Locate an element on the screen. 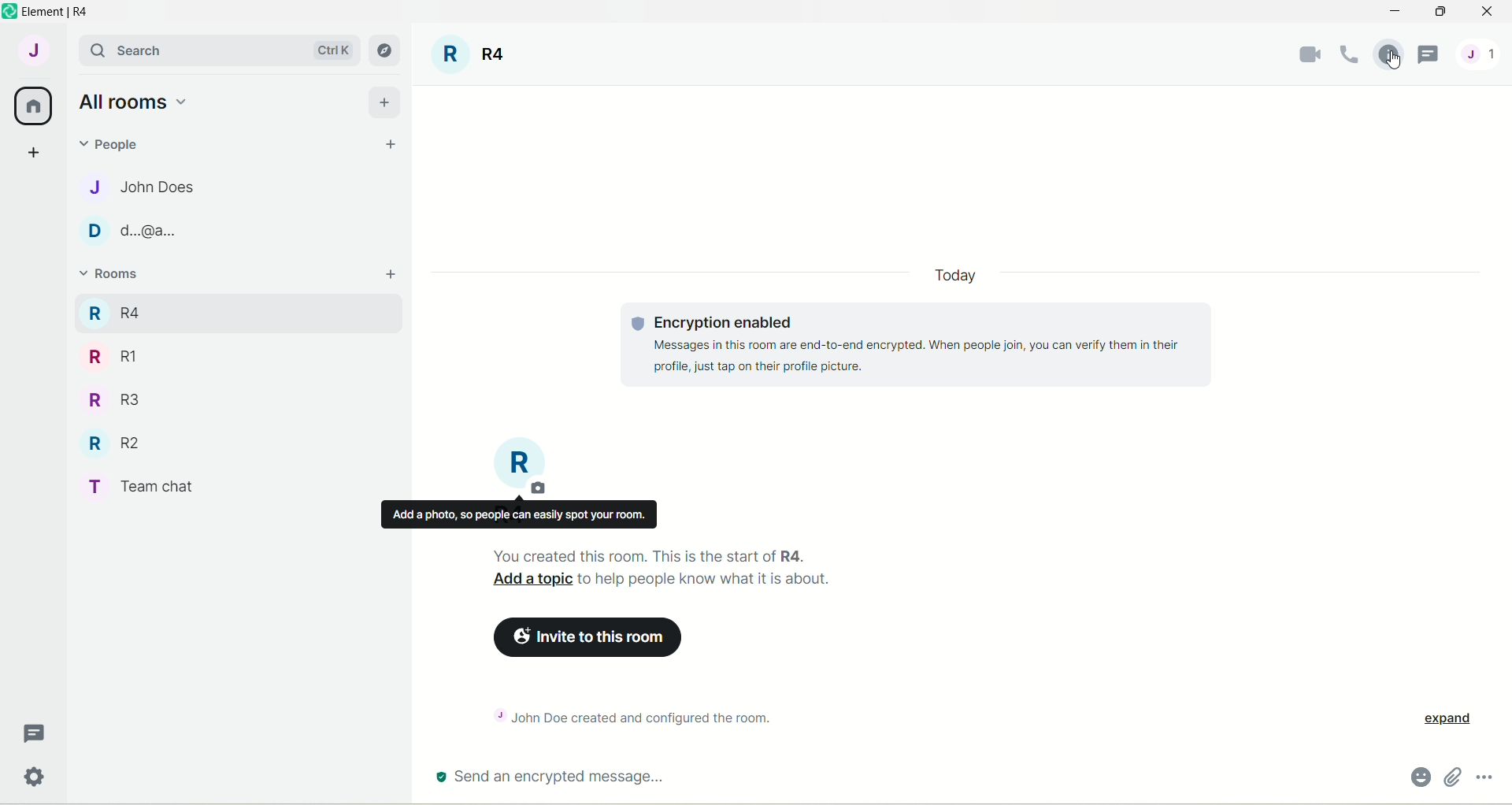 This screenshot has width=1512, height=805. You created this room. This is the start of R4.
Add a topic to help people know what it is about. is located at coordinates (713, 569).